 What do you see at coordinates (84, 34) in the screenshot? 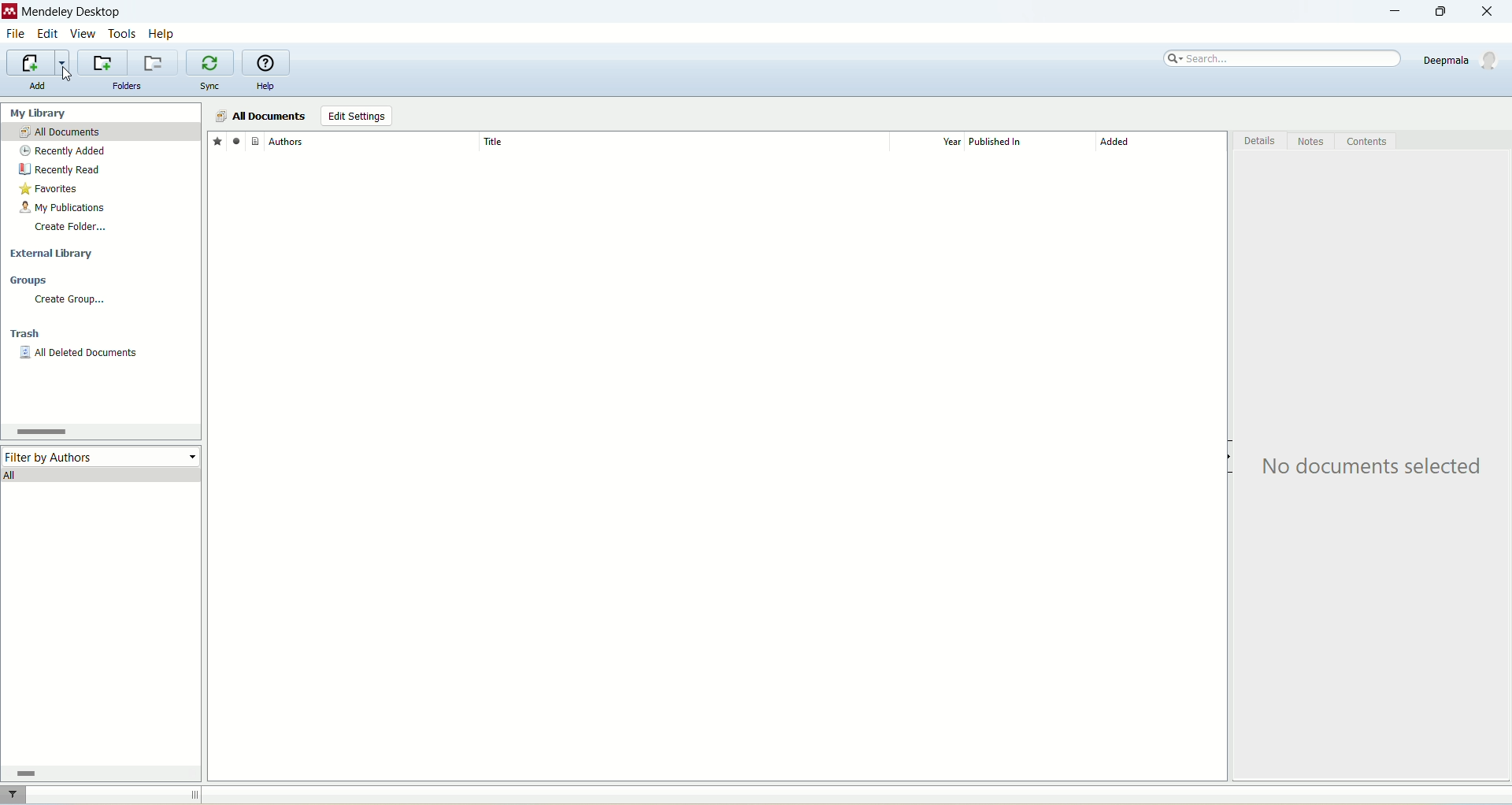
I see `view` at bounding box center [84, 34].